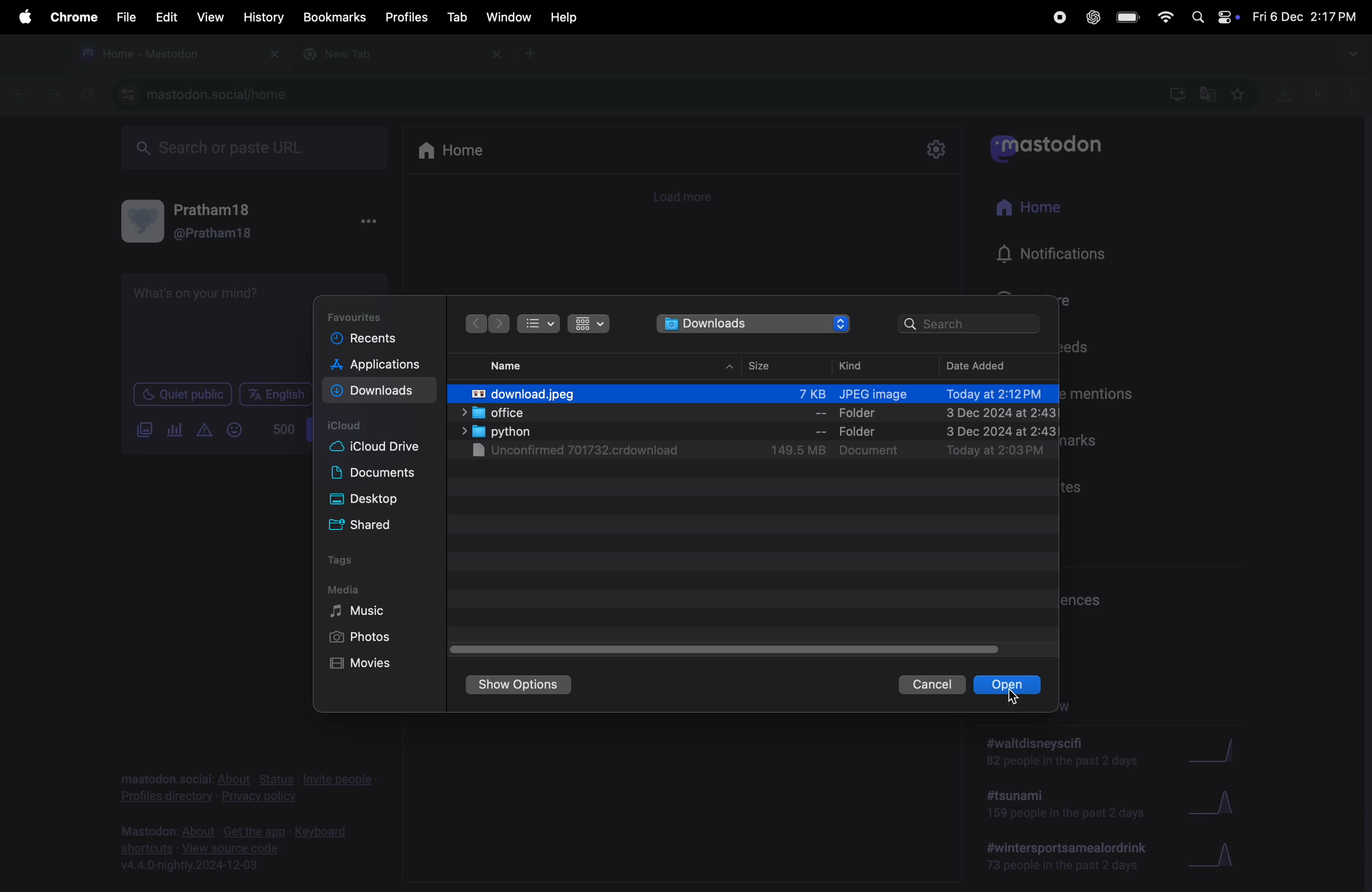 Image resolution: width=1372 pixels, height=892 pixels. What do you see at coordinates (381, 475) in the screenshot?
I see `documents` at bounding box center [381, 475].